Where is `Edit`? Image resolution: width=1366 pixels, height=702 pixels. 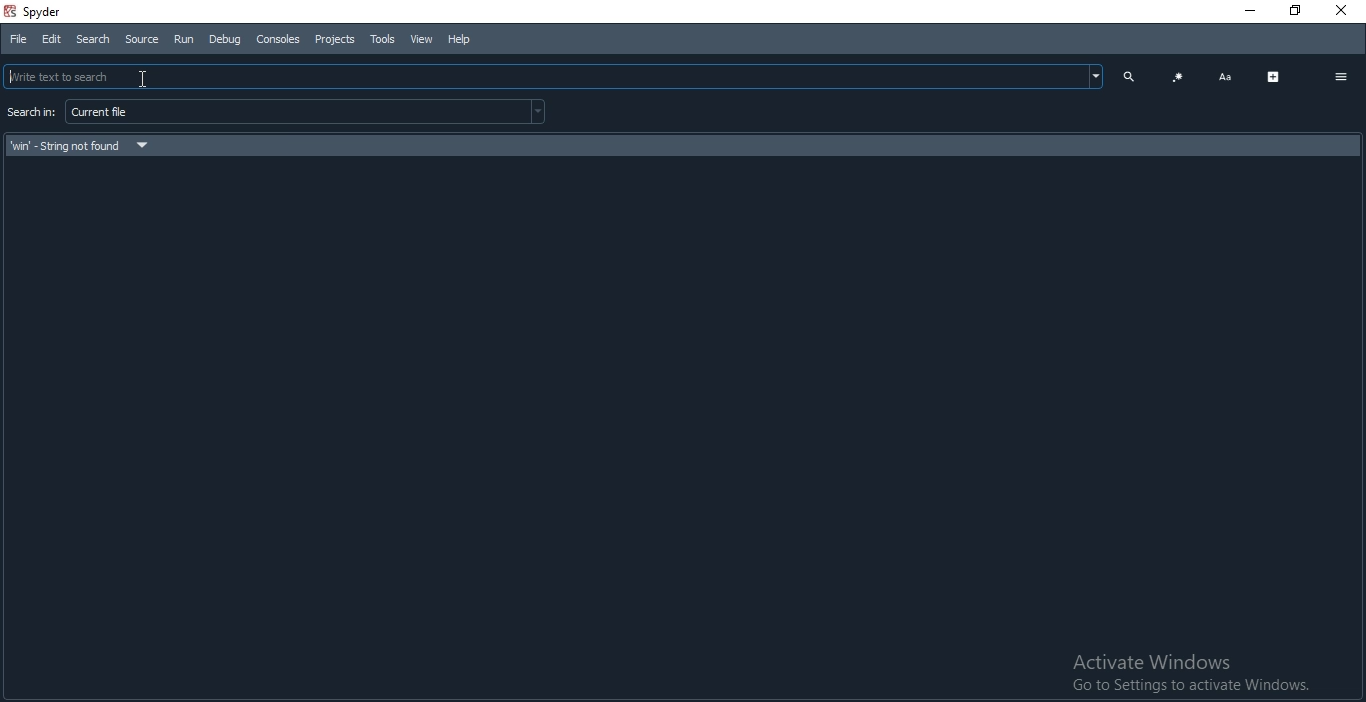
Edit is located at coordinates (50, 40).